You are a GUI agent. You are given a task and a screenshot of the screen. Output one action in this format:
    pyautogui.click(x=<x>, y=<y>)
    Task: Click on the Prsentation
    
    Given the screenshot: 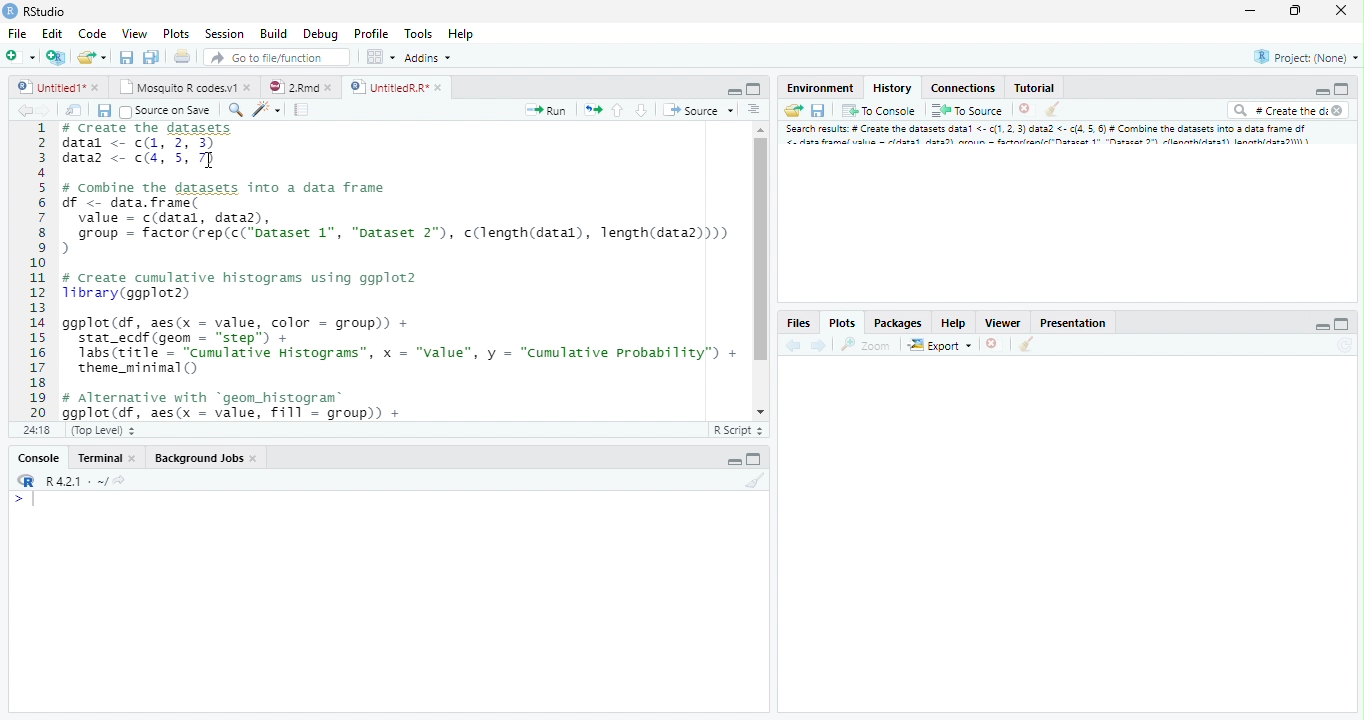 What is the action you would take?
    pyautogui.click(x=1069, y=321)
    